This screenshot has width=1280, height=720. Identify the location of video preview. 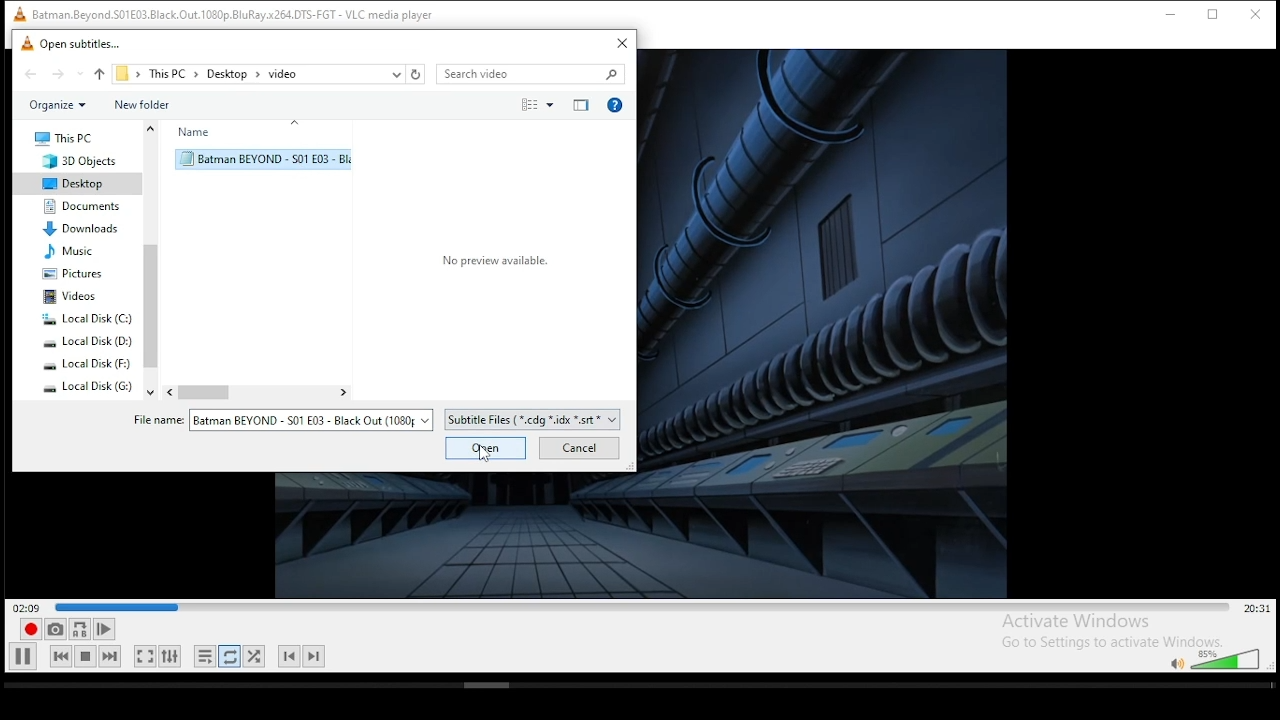
(856, 318).